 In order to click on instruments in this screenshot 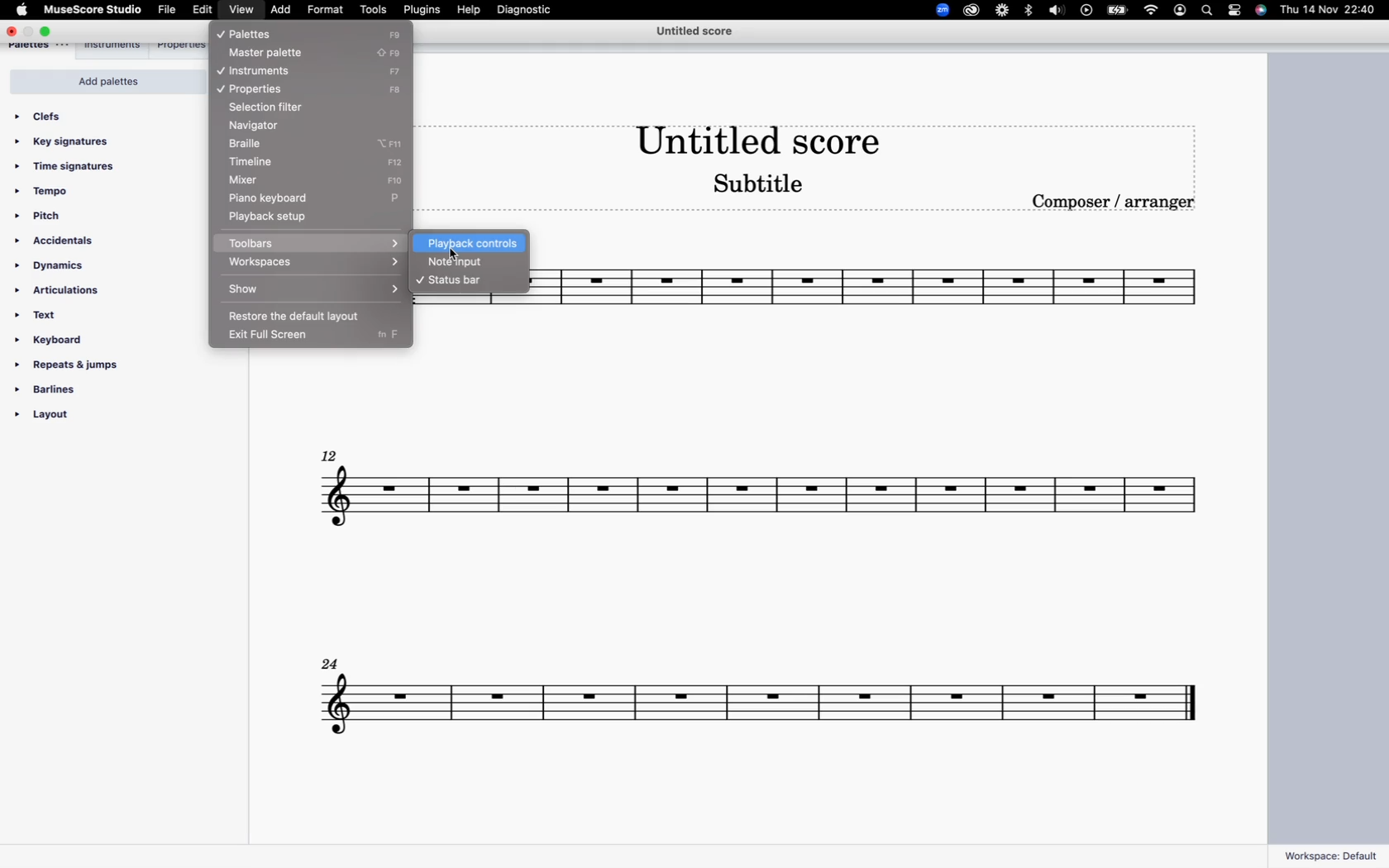, I will do `click(284, 72)`.